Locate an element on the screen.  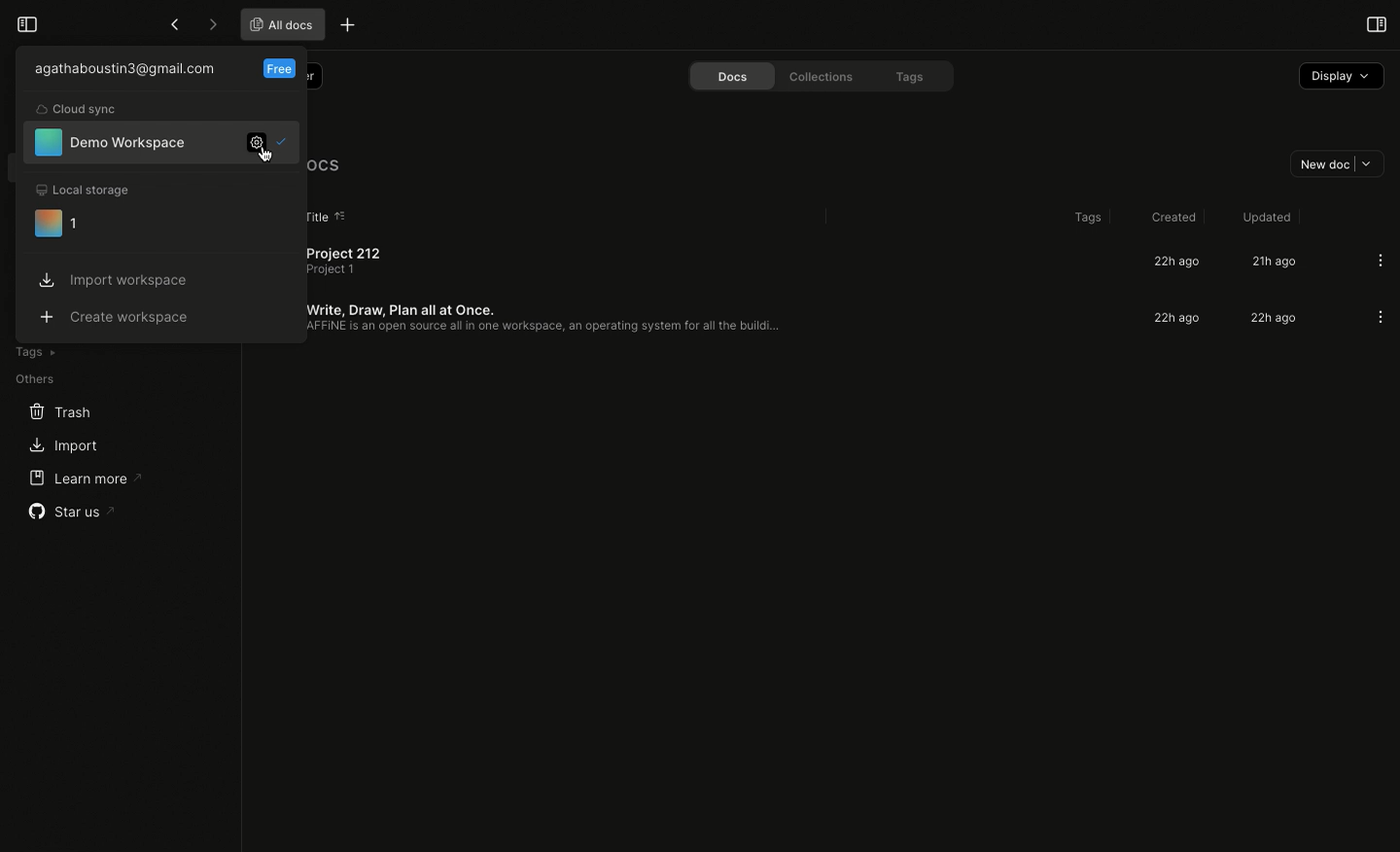
Trash is located at coordinates (60, 412).